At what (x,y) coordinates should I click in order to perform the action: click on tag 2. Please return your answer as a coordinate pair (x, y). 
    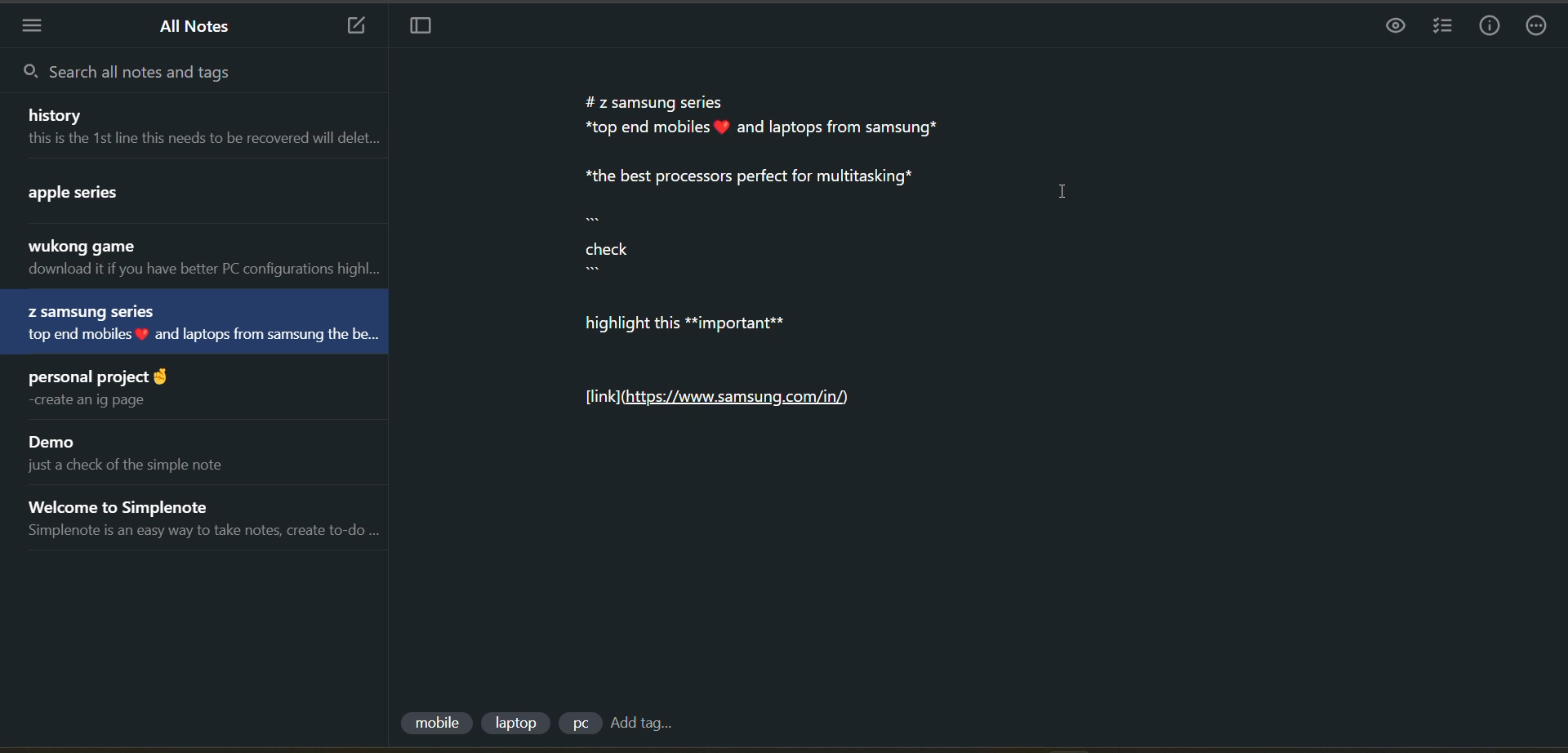
    Looking at the image, I should click on (517, 724).